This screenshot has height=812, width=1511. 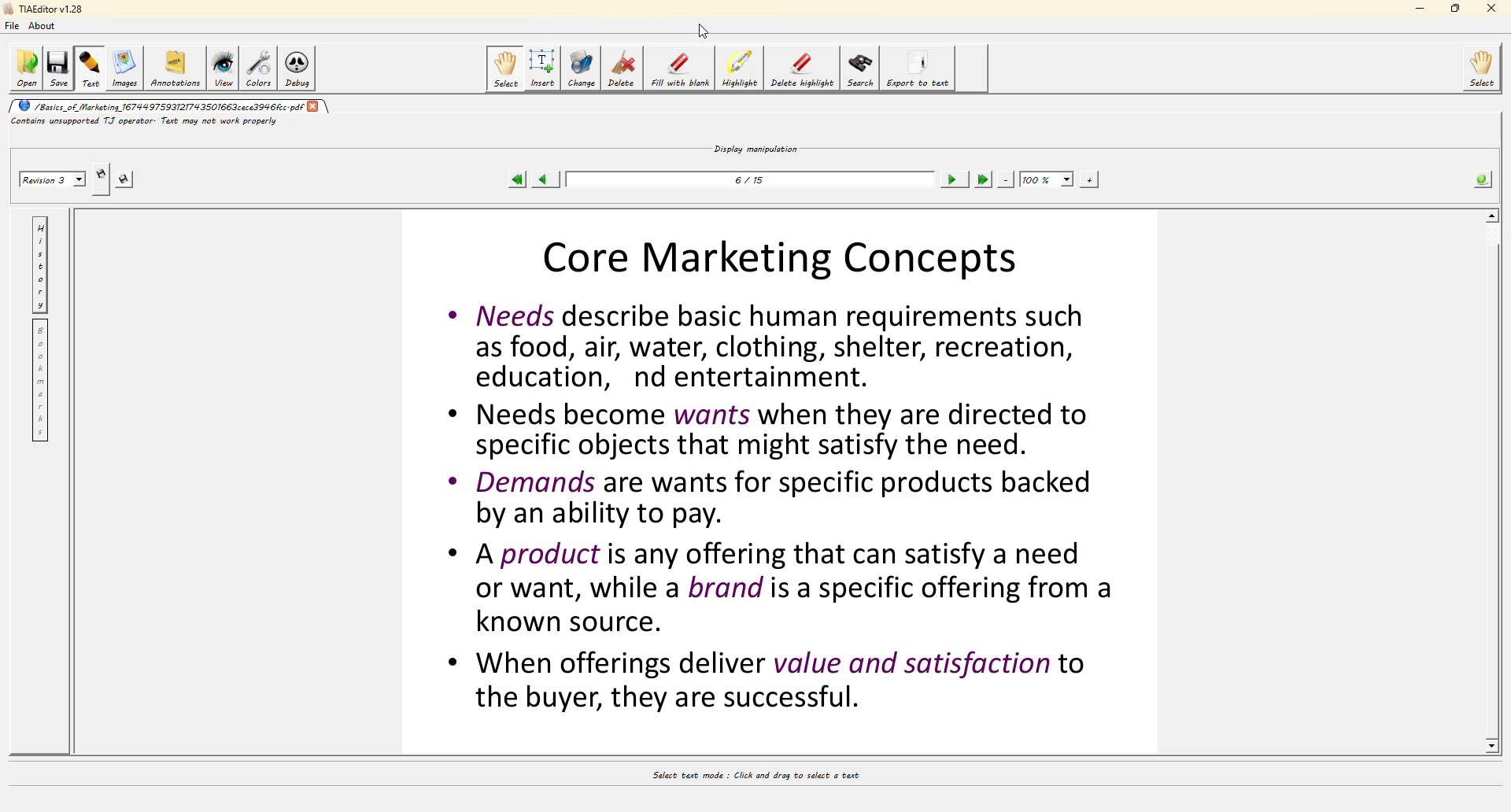 I want to click on history, so click(x=42, y=266).